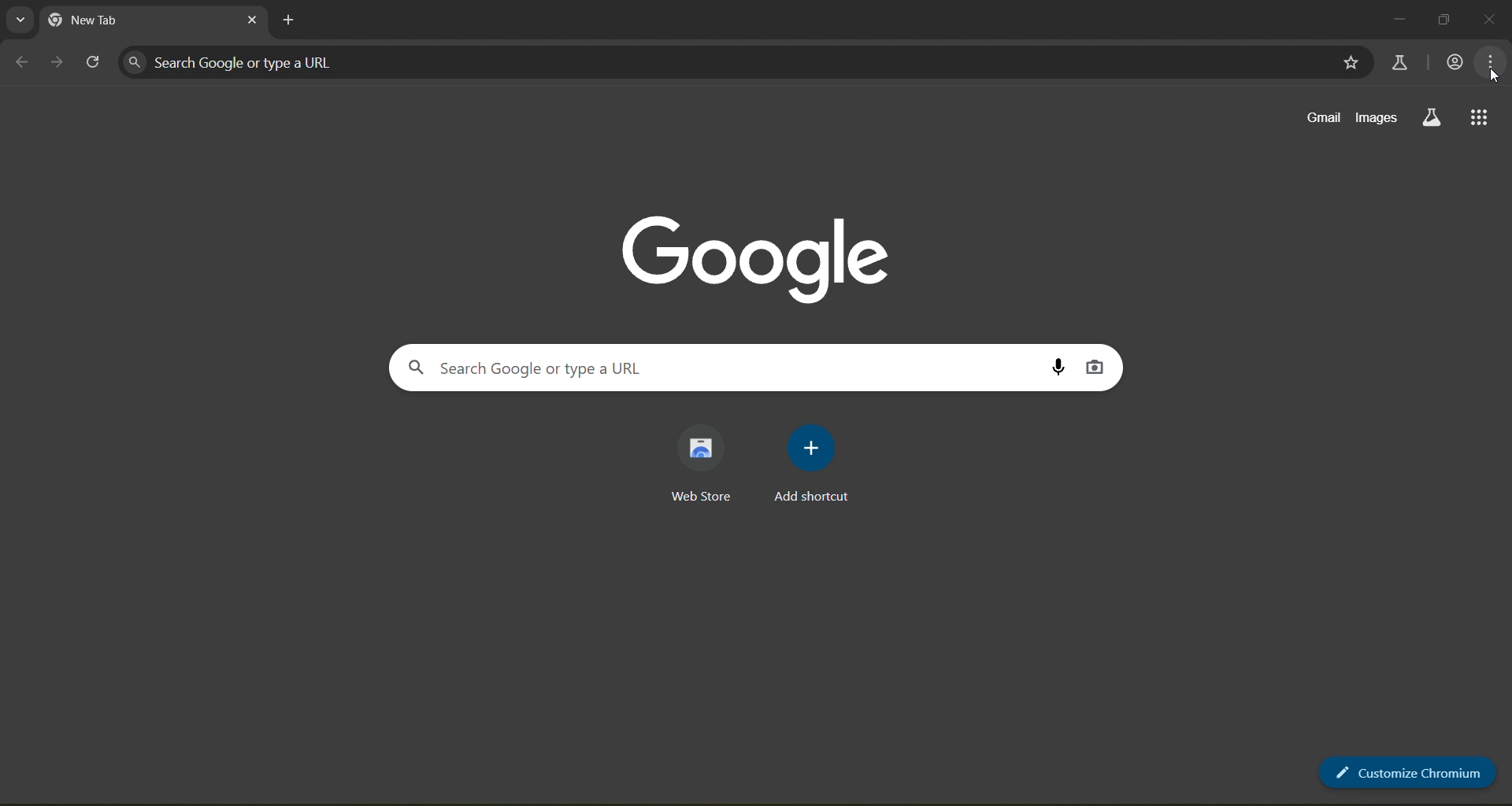 This screenshot has height=806, width=1512. I want to click on close tab, so click(252, 23).